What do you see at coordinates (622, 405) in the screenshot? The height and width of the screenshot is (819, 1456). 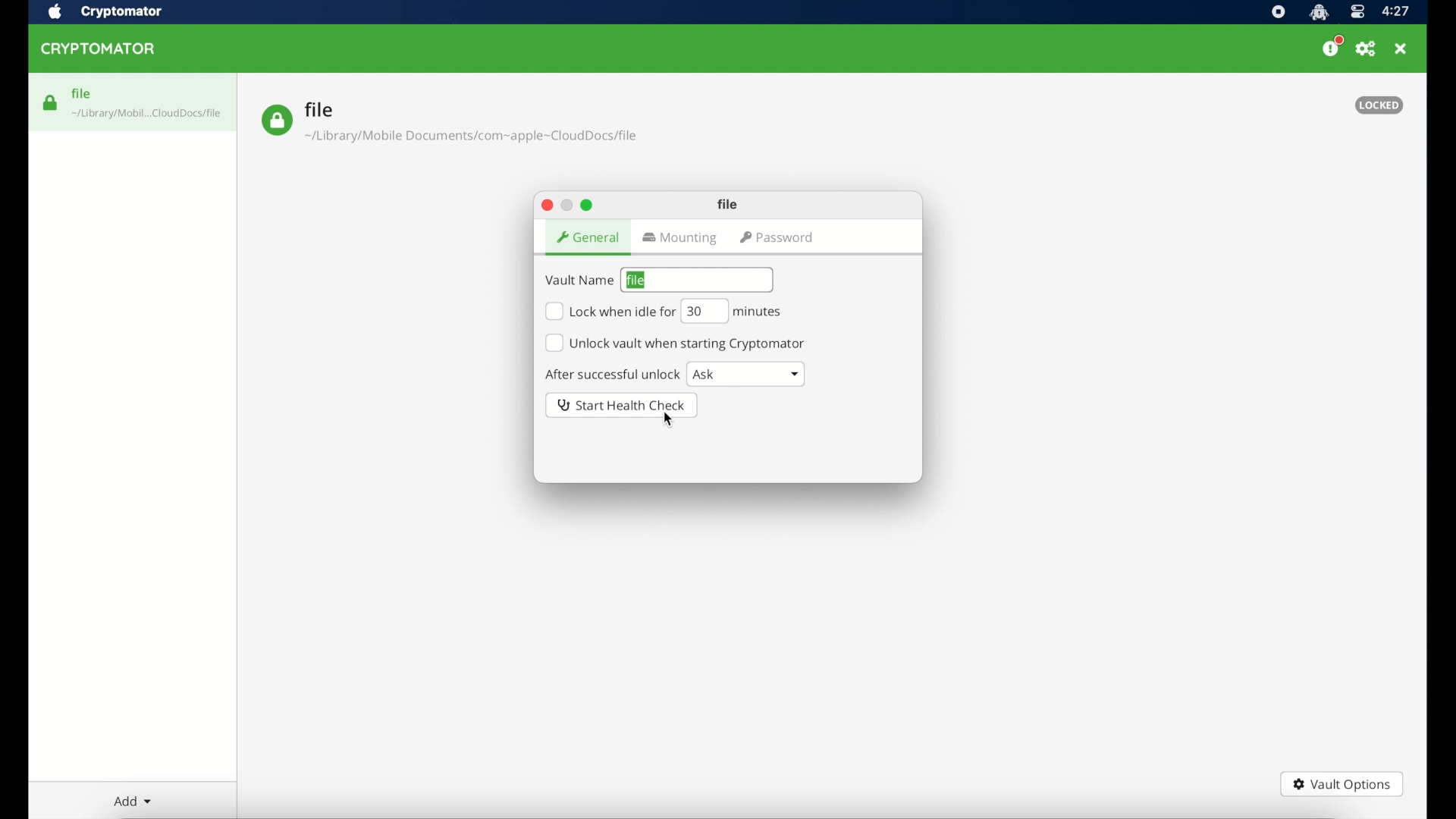 I see `start health check` at bounding box center [622, 405].